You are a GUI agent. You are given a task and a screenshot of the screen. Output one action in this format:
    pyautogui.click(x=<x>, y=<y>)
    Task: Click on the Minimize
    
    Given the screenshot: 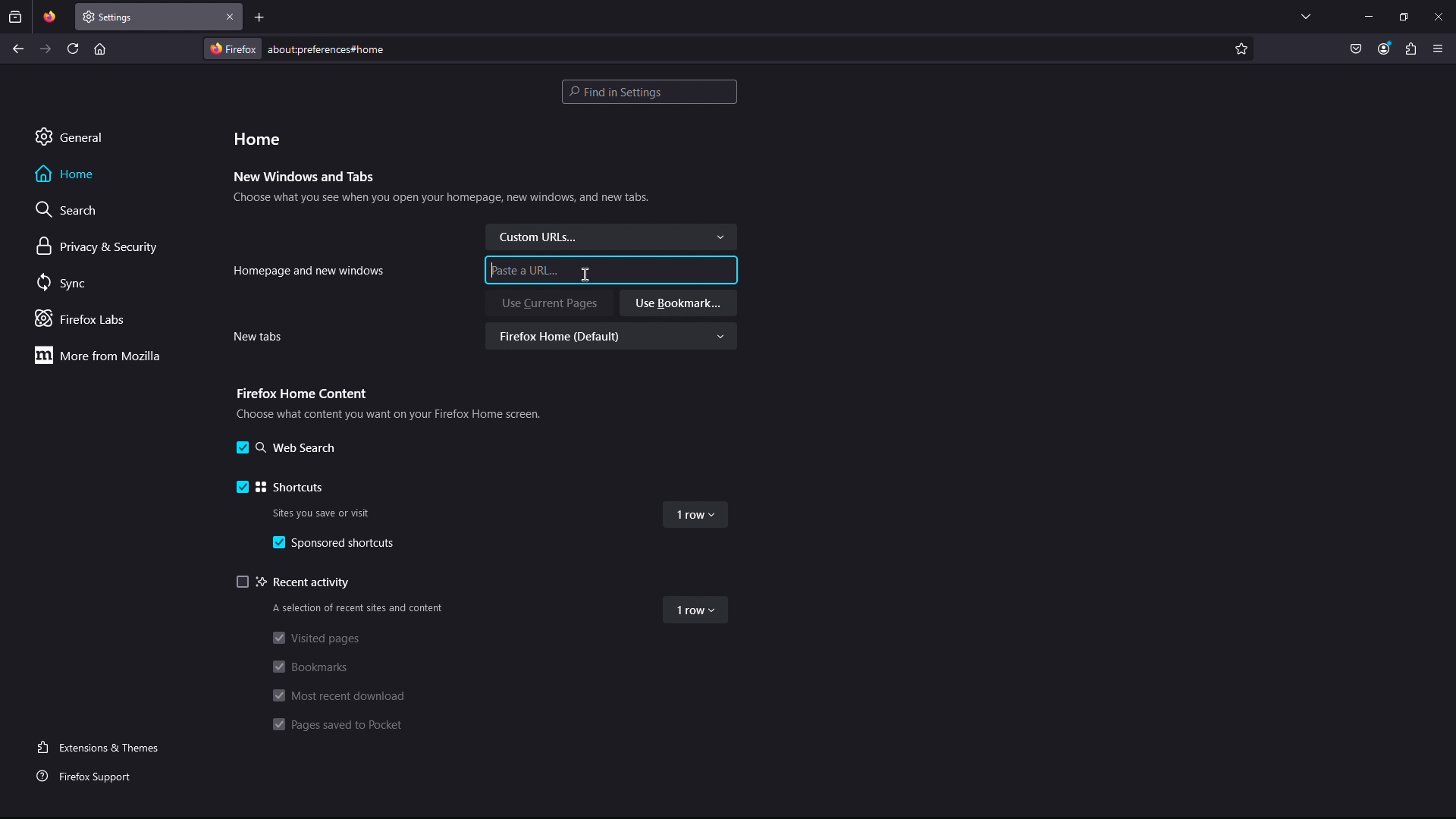 What is the action you would take?
    pyautogui.click(x=1368, y=16)
    